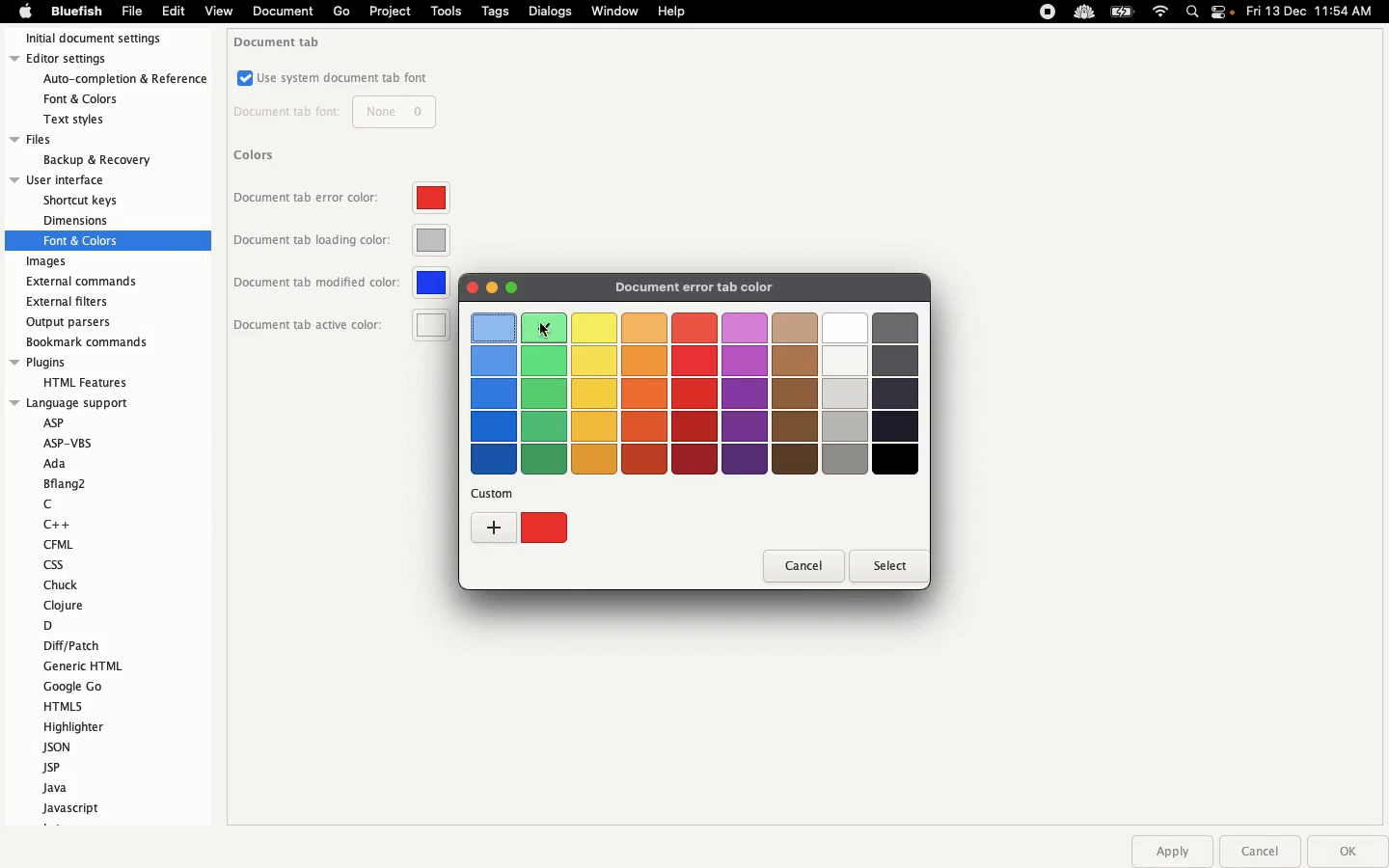  Describe the element at coordinates (75, 220) in the screenshot. I see `dimension` at that location.